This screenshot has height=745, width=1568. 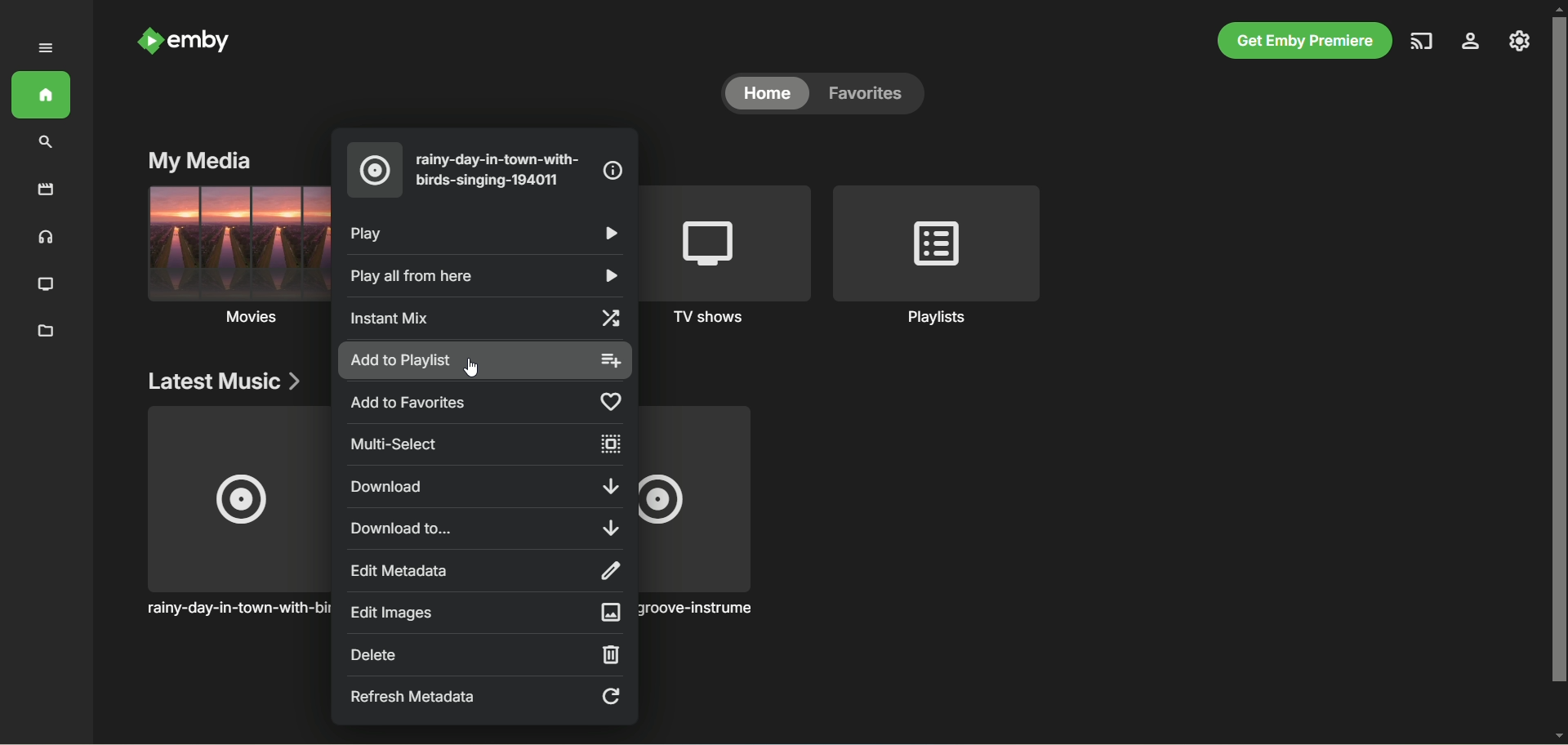 I want to click on refresh metadata, so click(x=483, y=698).